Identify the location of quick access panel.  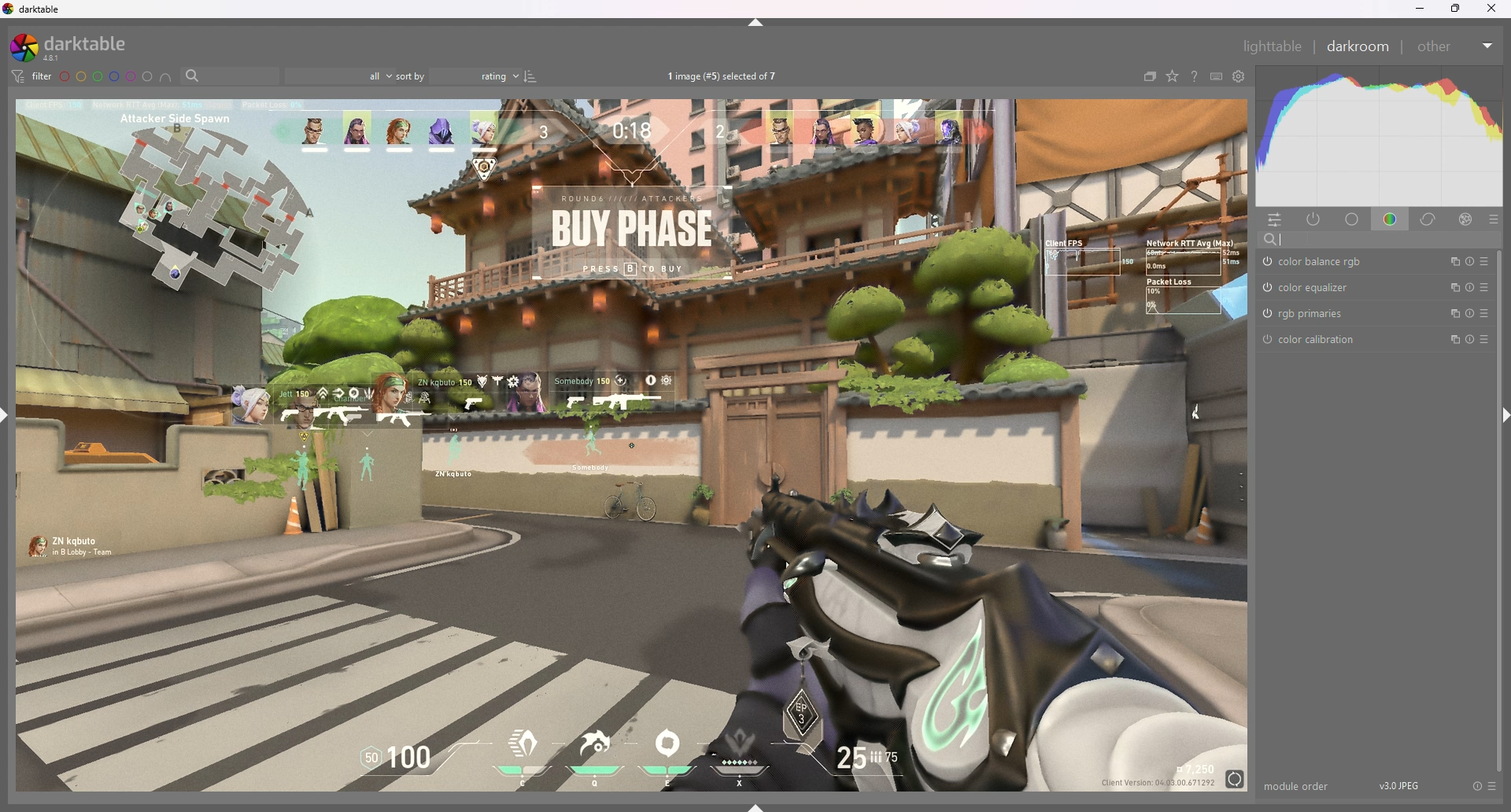
(1274, 221).